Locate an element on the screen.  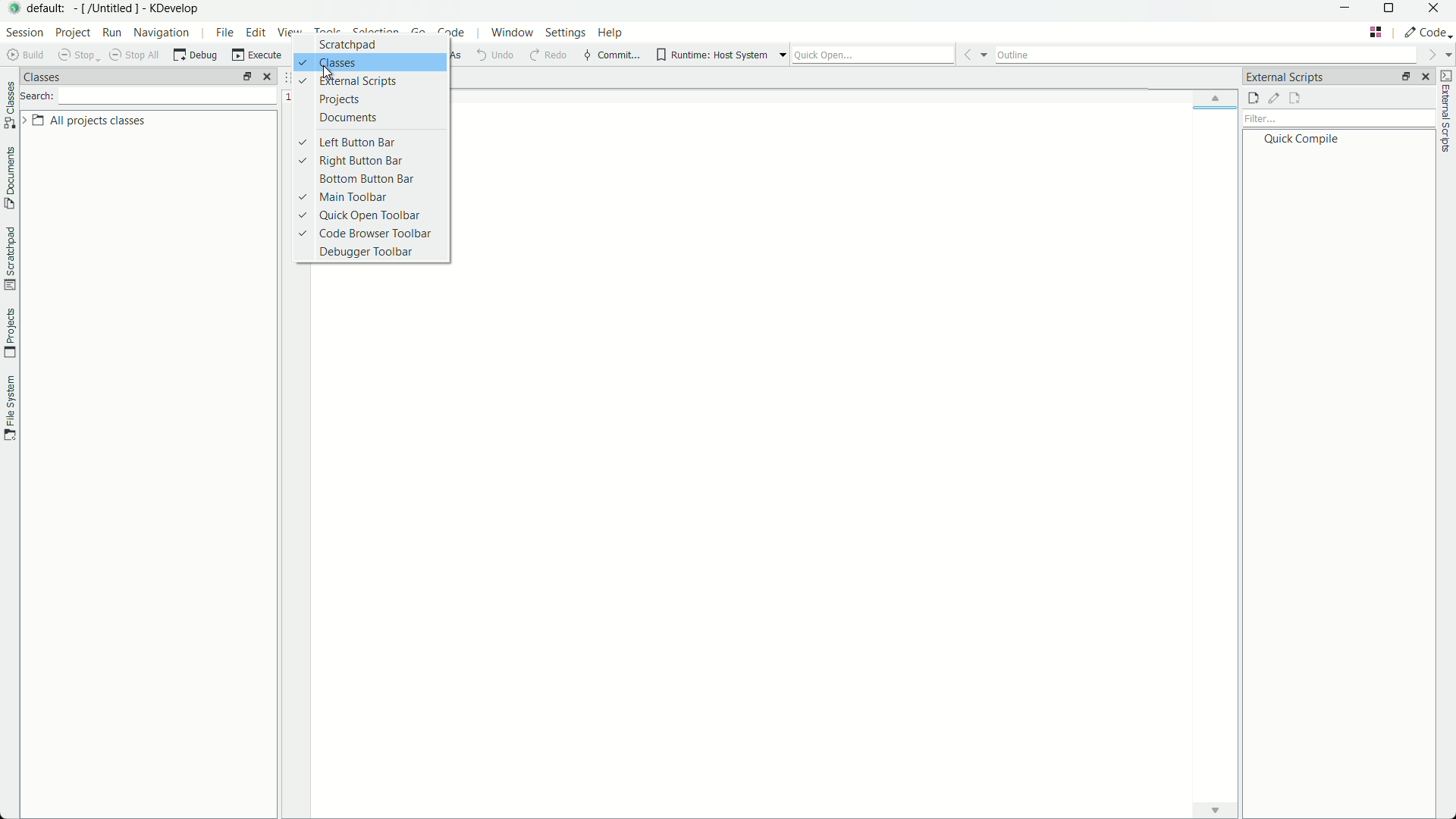
commit is located at coordinates (610, 55).